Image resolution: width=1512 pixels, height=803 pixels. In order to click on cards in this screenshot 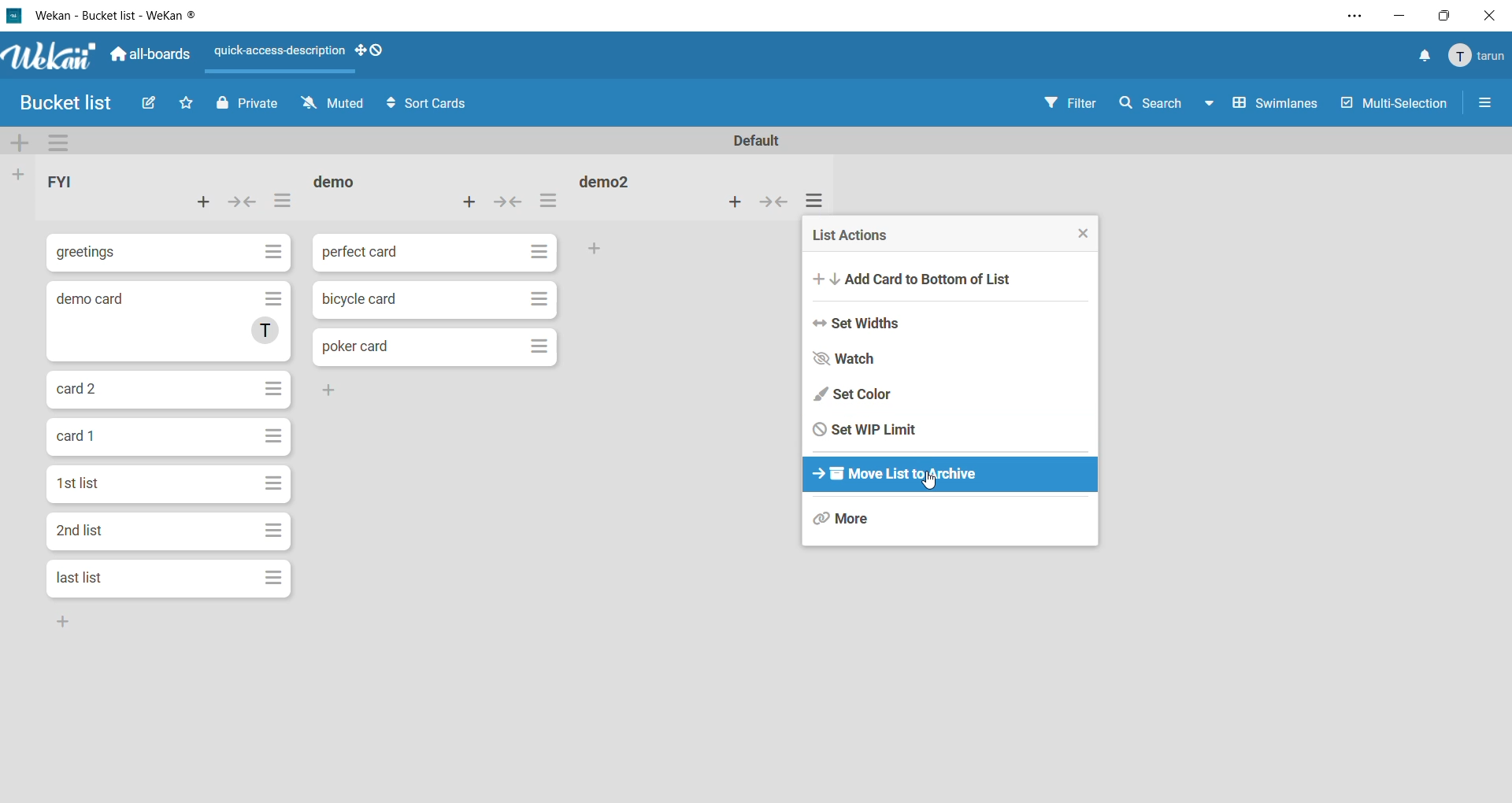, I will do `click(437, 346)`.